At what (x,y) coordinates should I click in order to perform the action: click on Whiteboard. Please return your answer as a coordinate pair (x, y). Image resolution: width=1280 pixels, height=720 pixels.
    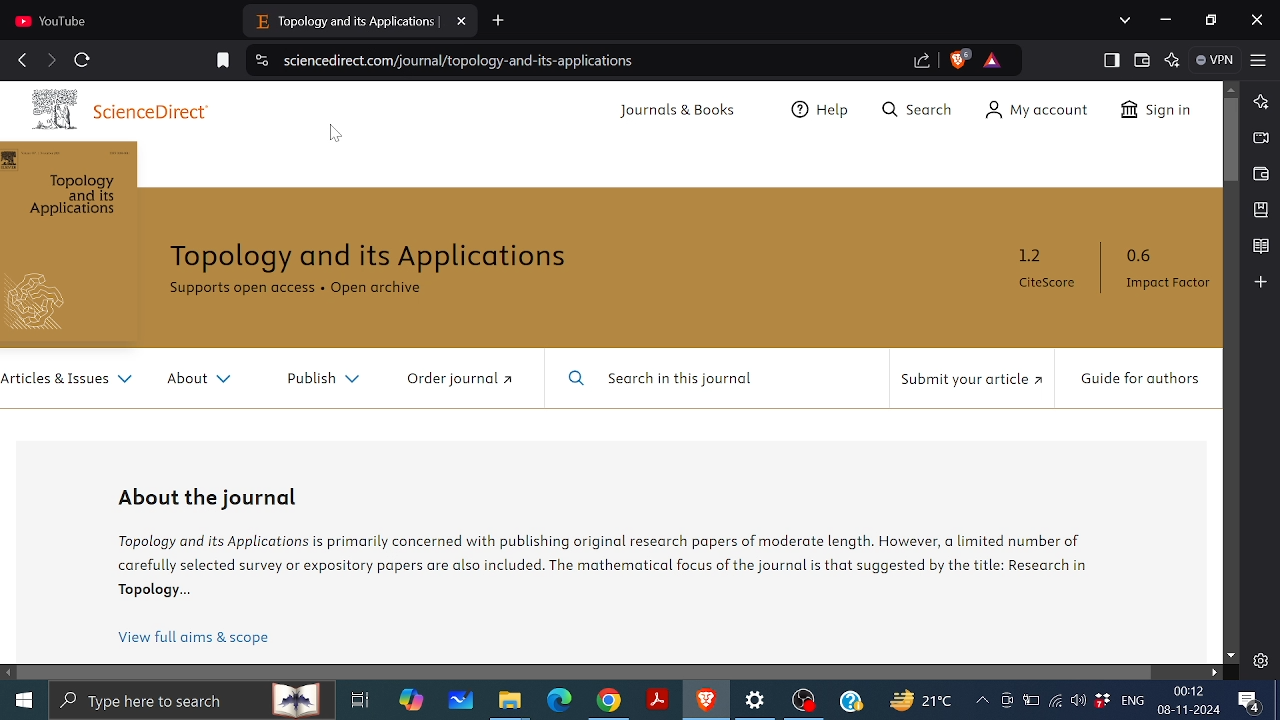
    Looking at the image, I should click on (461, 700).